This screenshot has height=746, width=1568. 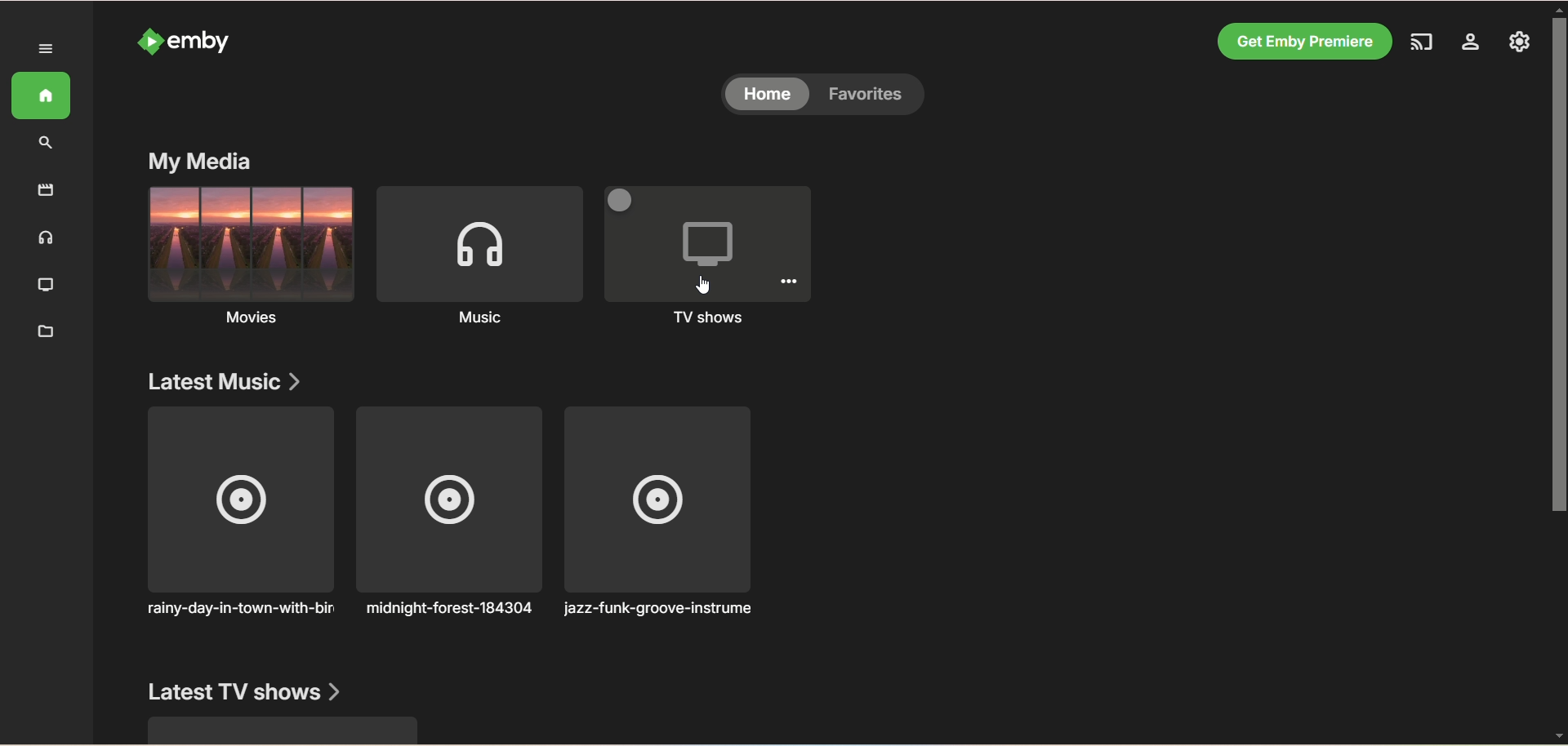 What do you see at coordinates (661, 513) in the screenshot?
I see `jazz-funk-groove-instrume` at bounding box center [661, 513].